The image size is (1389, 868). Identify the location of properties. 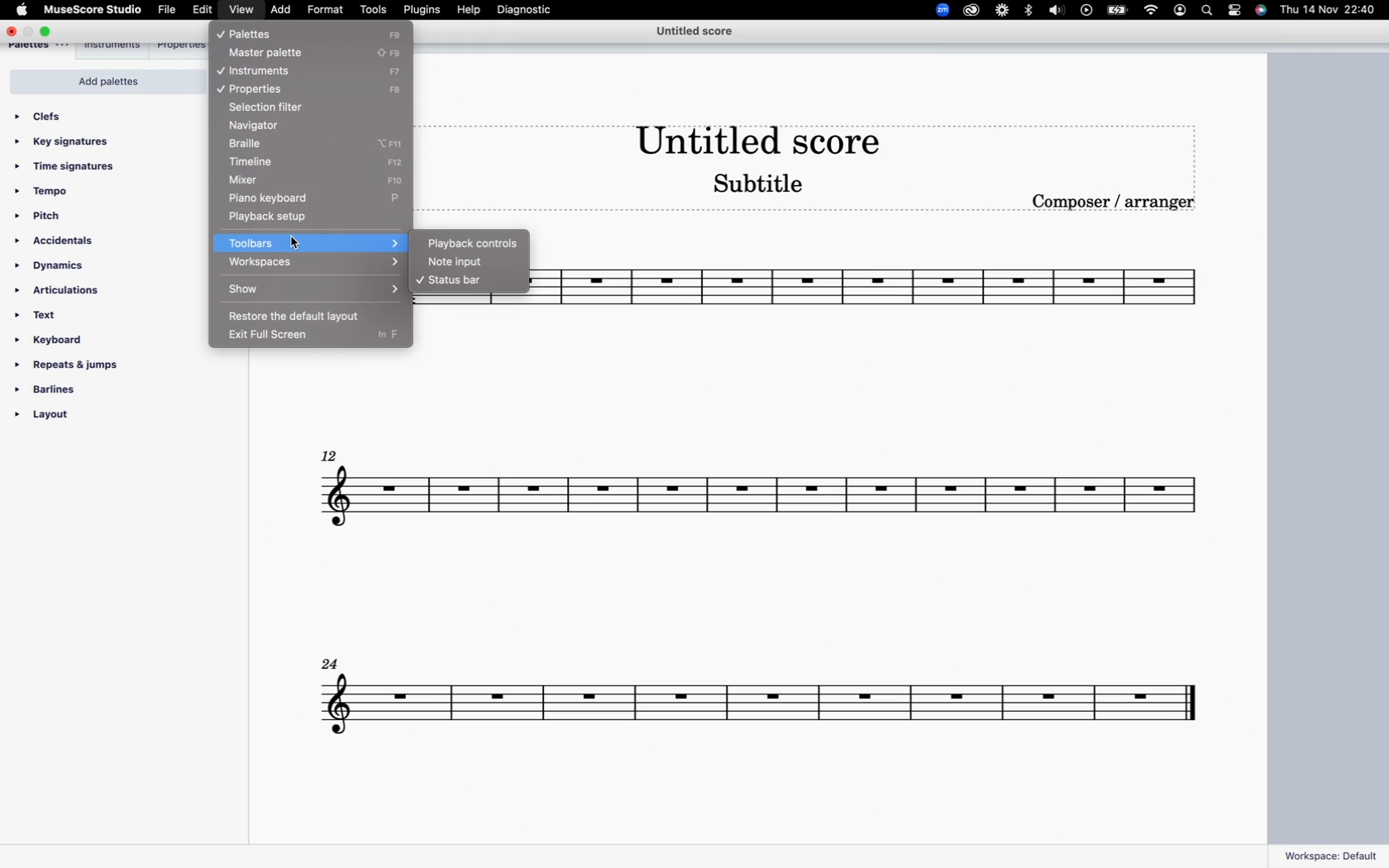
(181, 46).